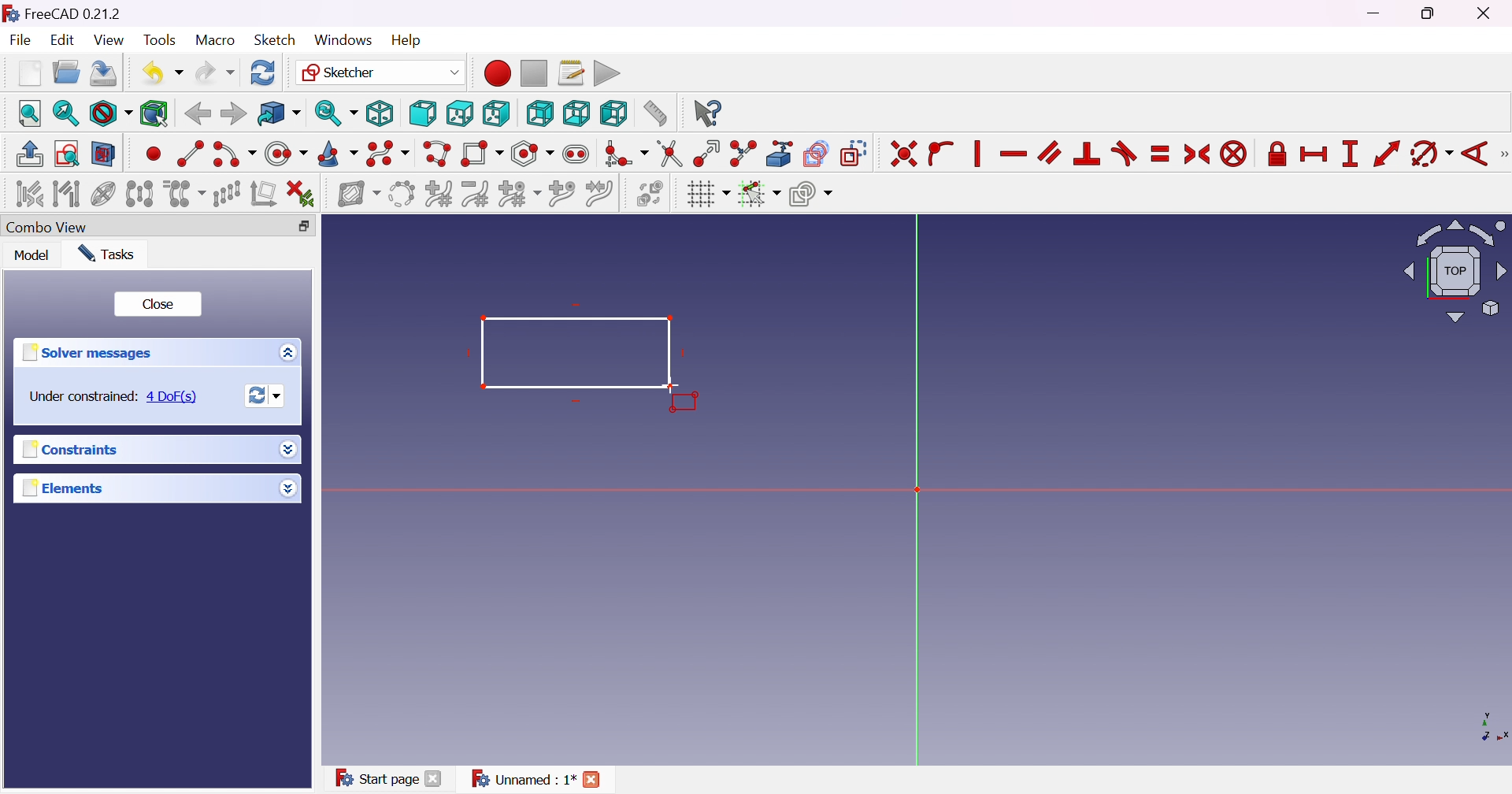  Describe the element at coordinates (1431, 155) in the screenshot. I see `Constrain arc or circle` at that location.